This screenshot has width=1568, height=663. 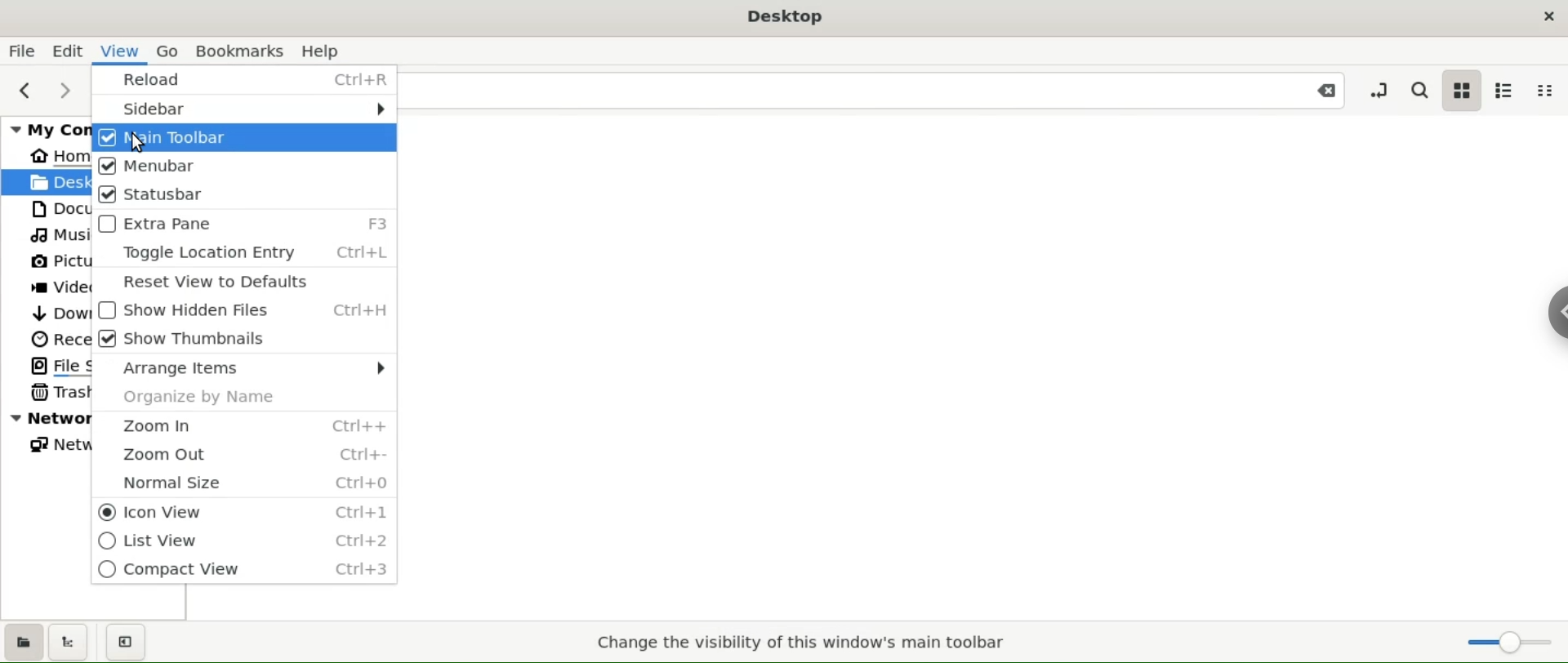 I want to click on main toolbar, so click(x=243, y=139).